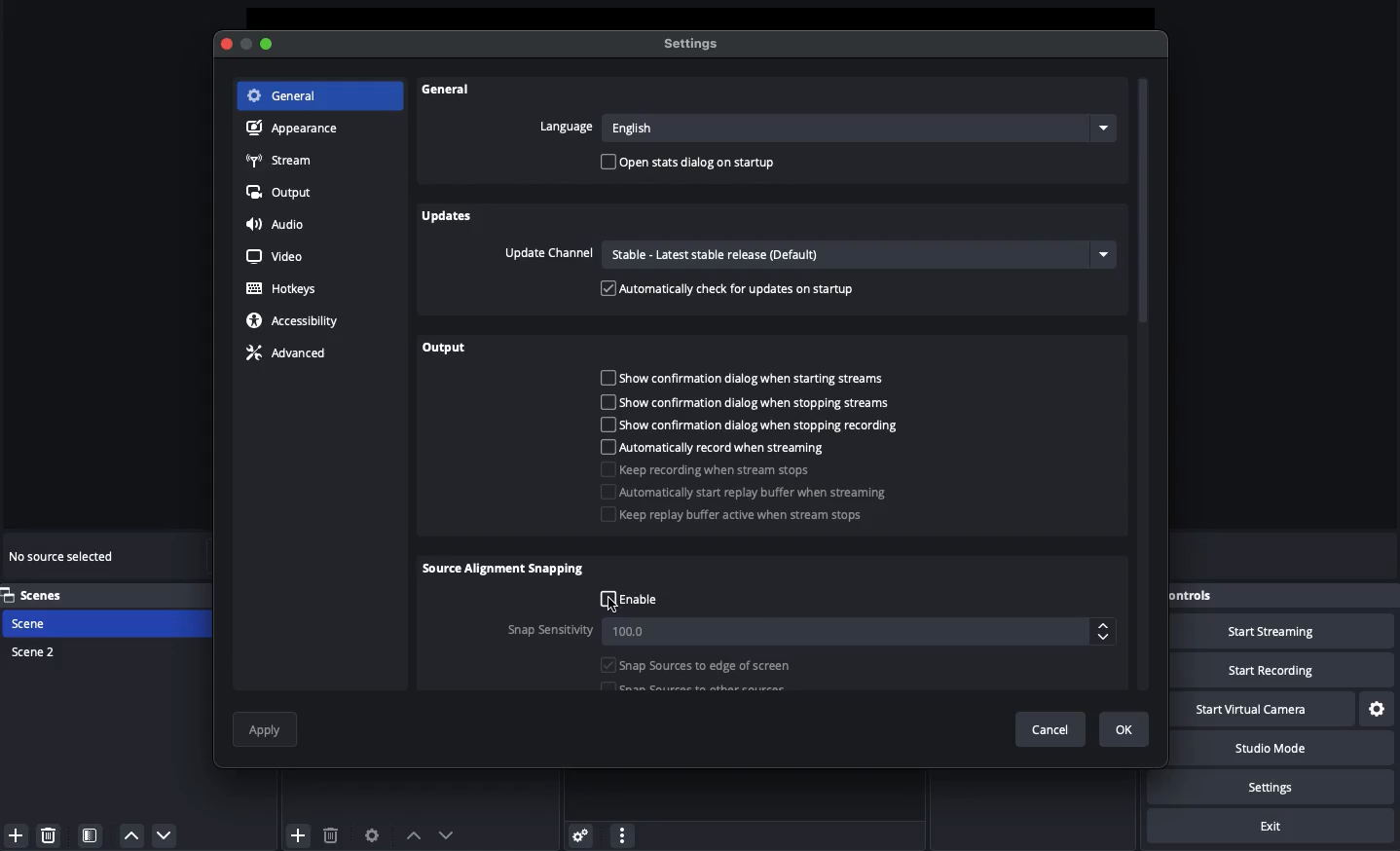  What do you see at coordinates (621, 833) in the screenshot?
I see `More` at bounding box center [621, 833].